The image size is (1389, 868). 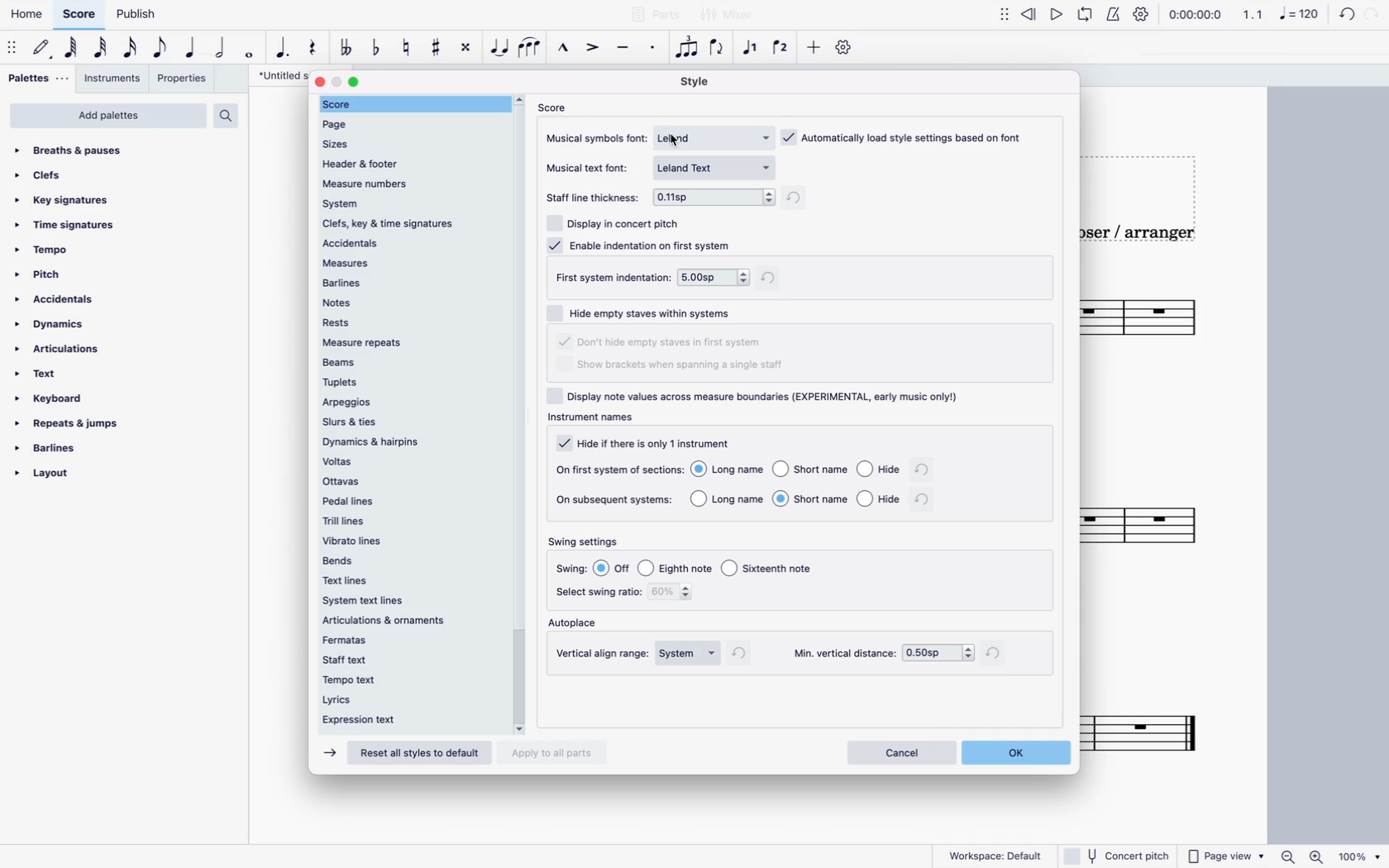 What do you see at coordinates (604, 654) in the screenshot?
I see `vertical align range` at bounding box center [604, 654].